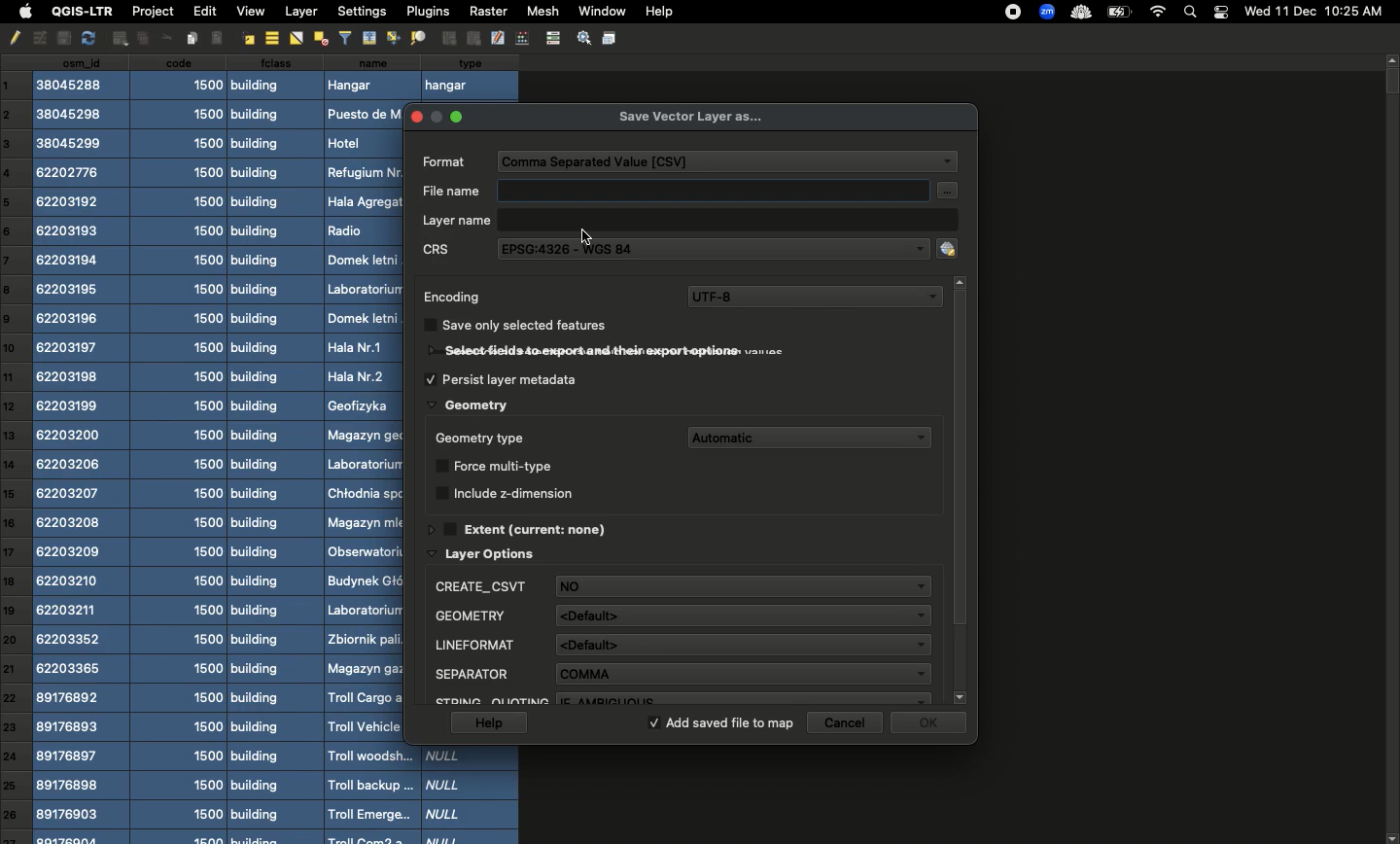  Describe the element at coordinates (139, 39) in the screenshot. I see `Insert Text Box` at that location.